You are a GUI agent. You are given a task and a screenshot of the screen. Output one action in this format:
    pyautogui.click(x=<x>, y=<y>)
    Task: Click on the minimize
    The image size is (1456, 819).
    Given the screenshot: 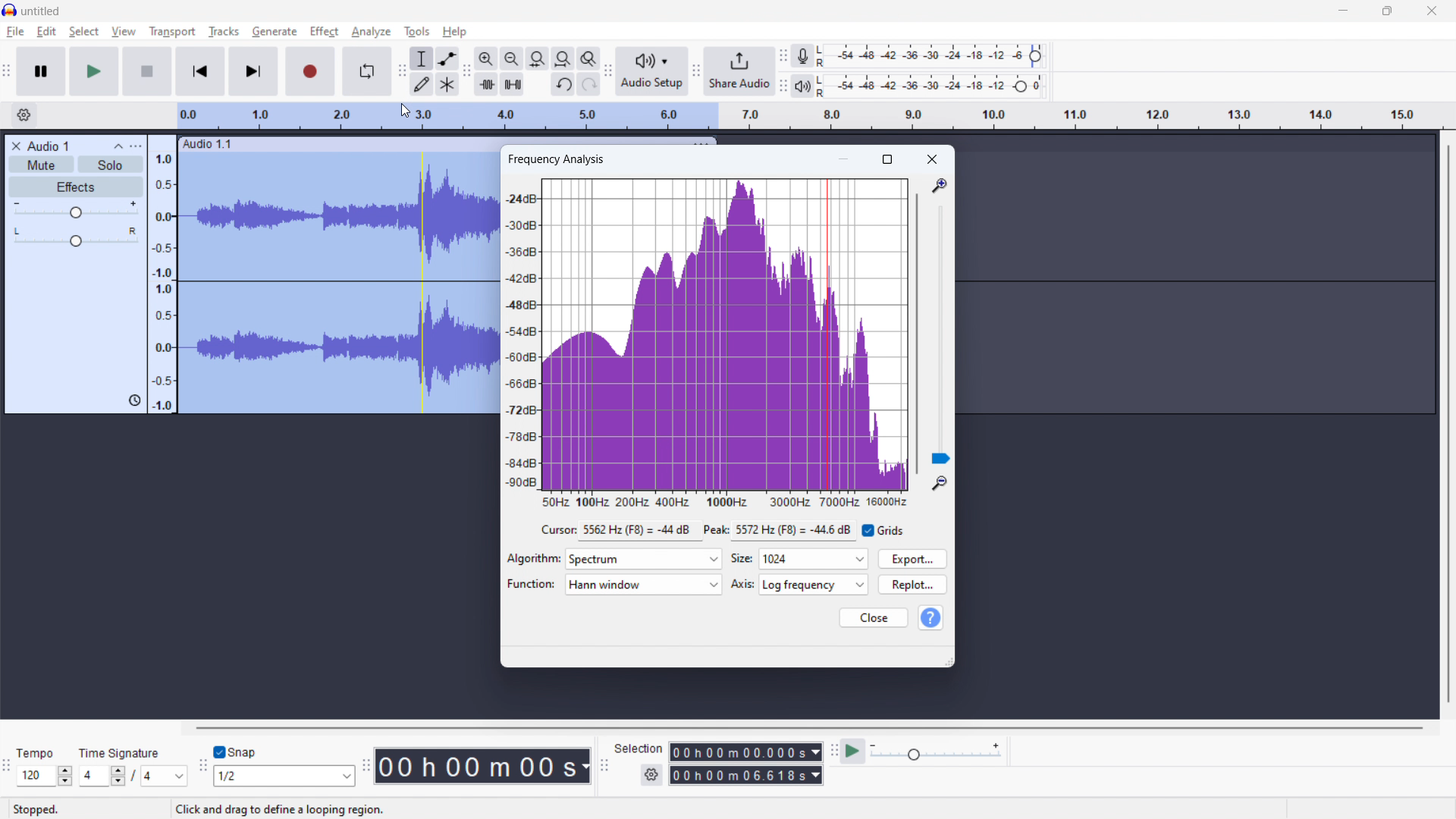 What is the action you would take?
    pyautogui.click(x=846, y=159)
    